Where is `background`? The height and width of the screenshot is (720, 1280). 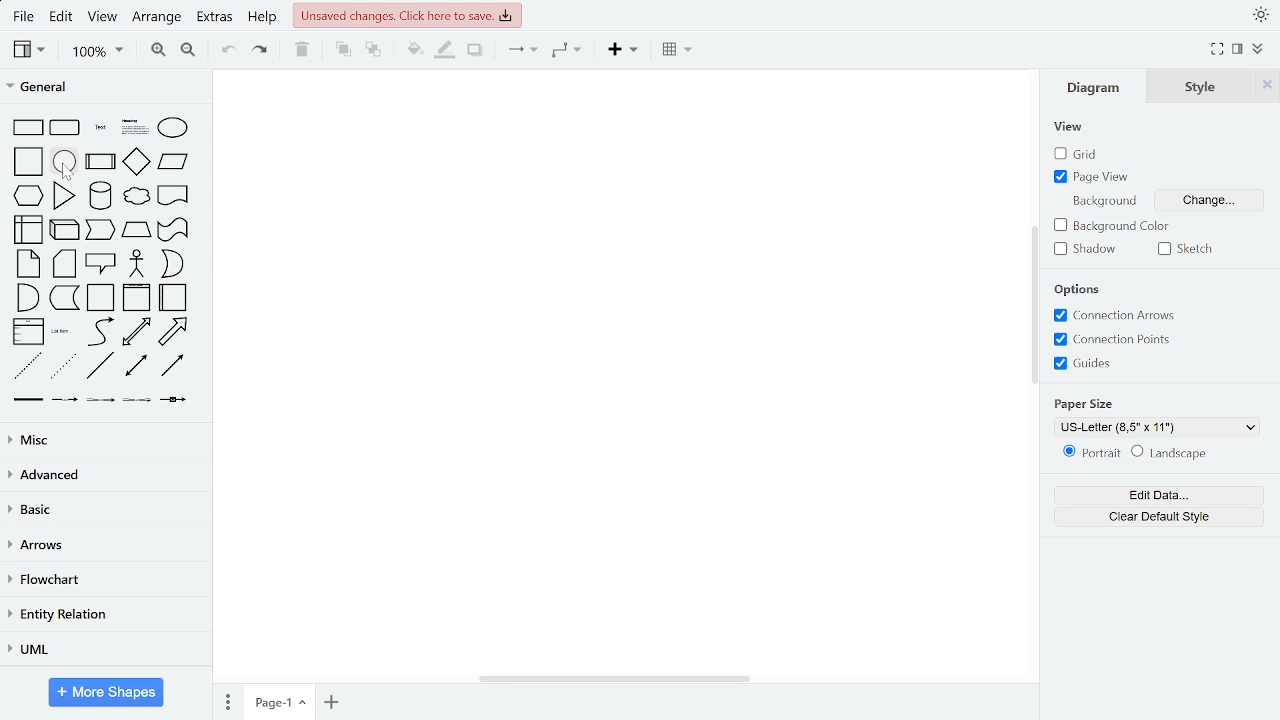 background is located at coordinates (1107, 202).